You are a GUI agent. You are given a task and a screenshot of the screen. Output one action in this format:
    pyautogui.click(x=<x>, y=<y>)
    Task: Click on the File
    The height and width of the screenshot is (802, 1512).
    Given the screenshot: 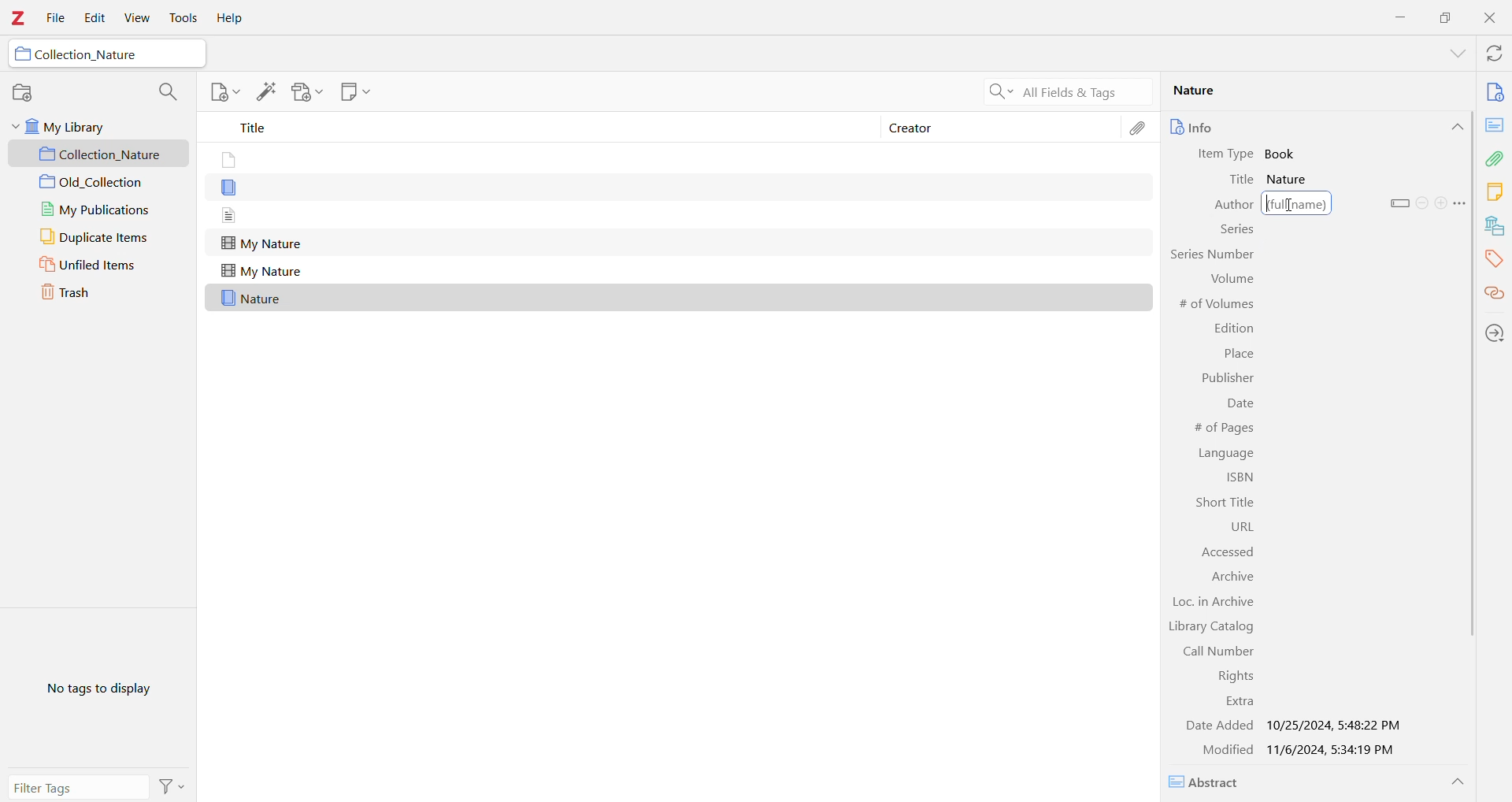 What is the action you would take?
    pyautogui.click(x=57, y=19)
    